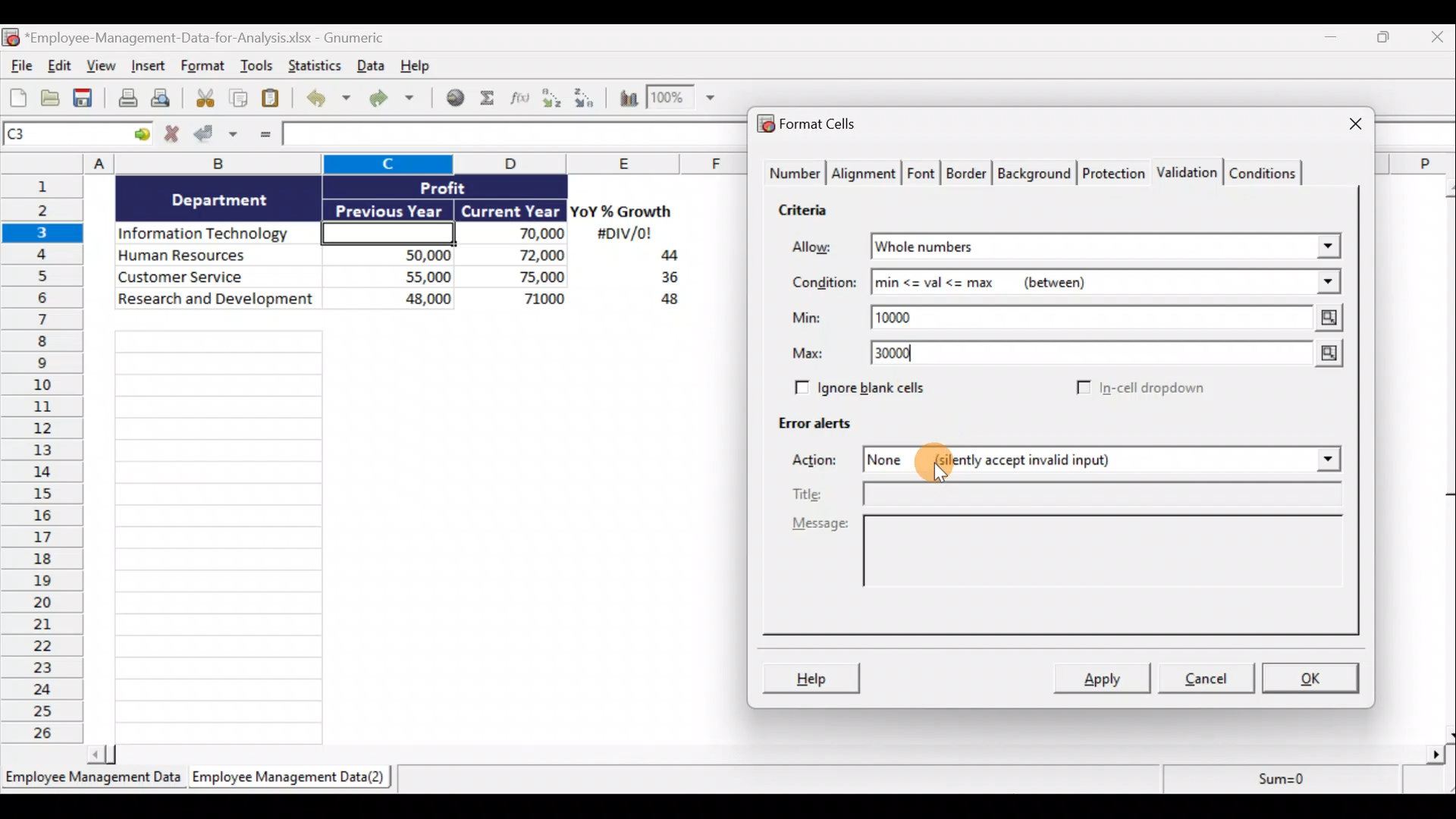 This screenshot has height=819, width=1456. Describe the element at coordinates (771, 752) in the screenshot. I see `Scroll bar` at that location.